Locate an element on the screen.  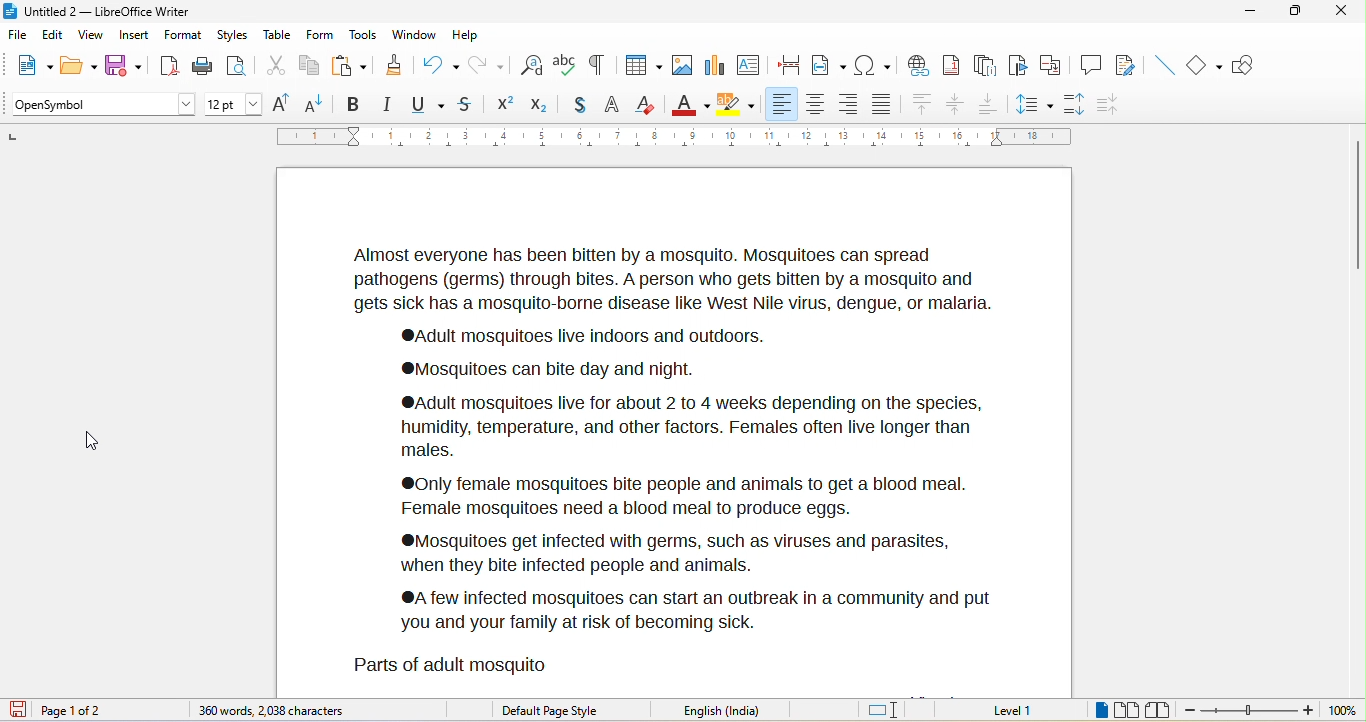
comment is located at coordinates (1090, 64).